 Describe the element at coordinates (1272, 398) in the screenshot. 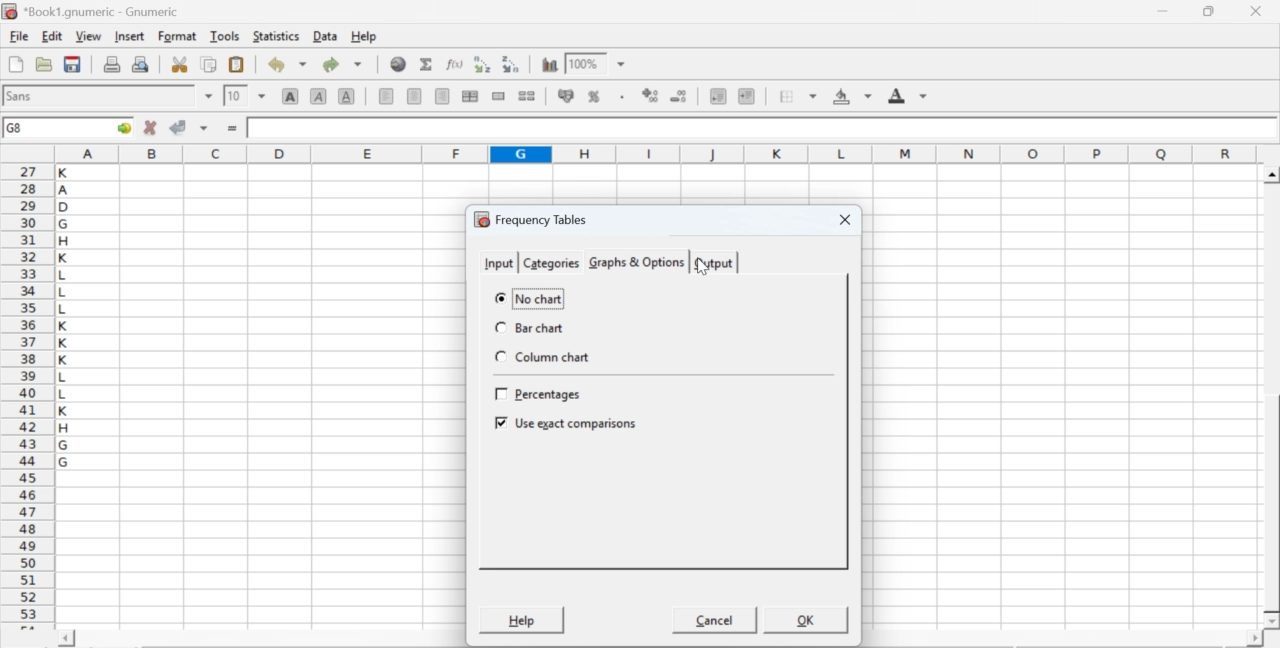

I see `scroll bar` at that location.